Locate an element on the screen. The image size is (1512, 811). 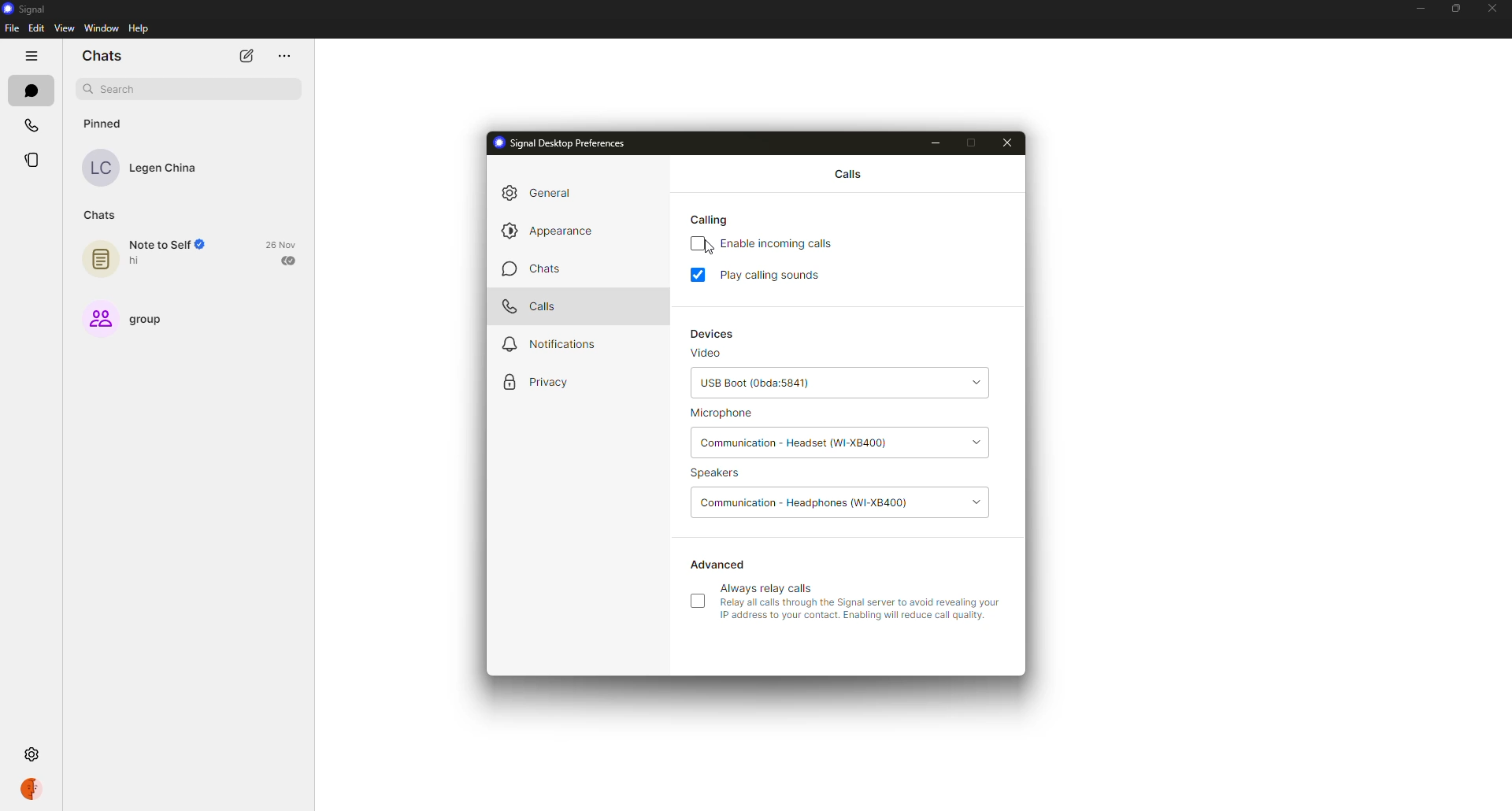
click to enable is located at coordinates (696, 602).